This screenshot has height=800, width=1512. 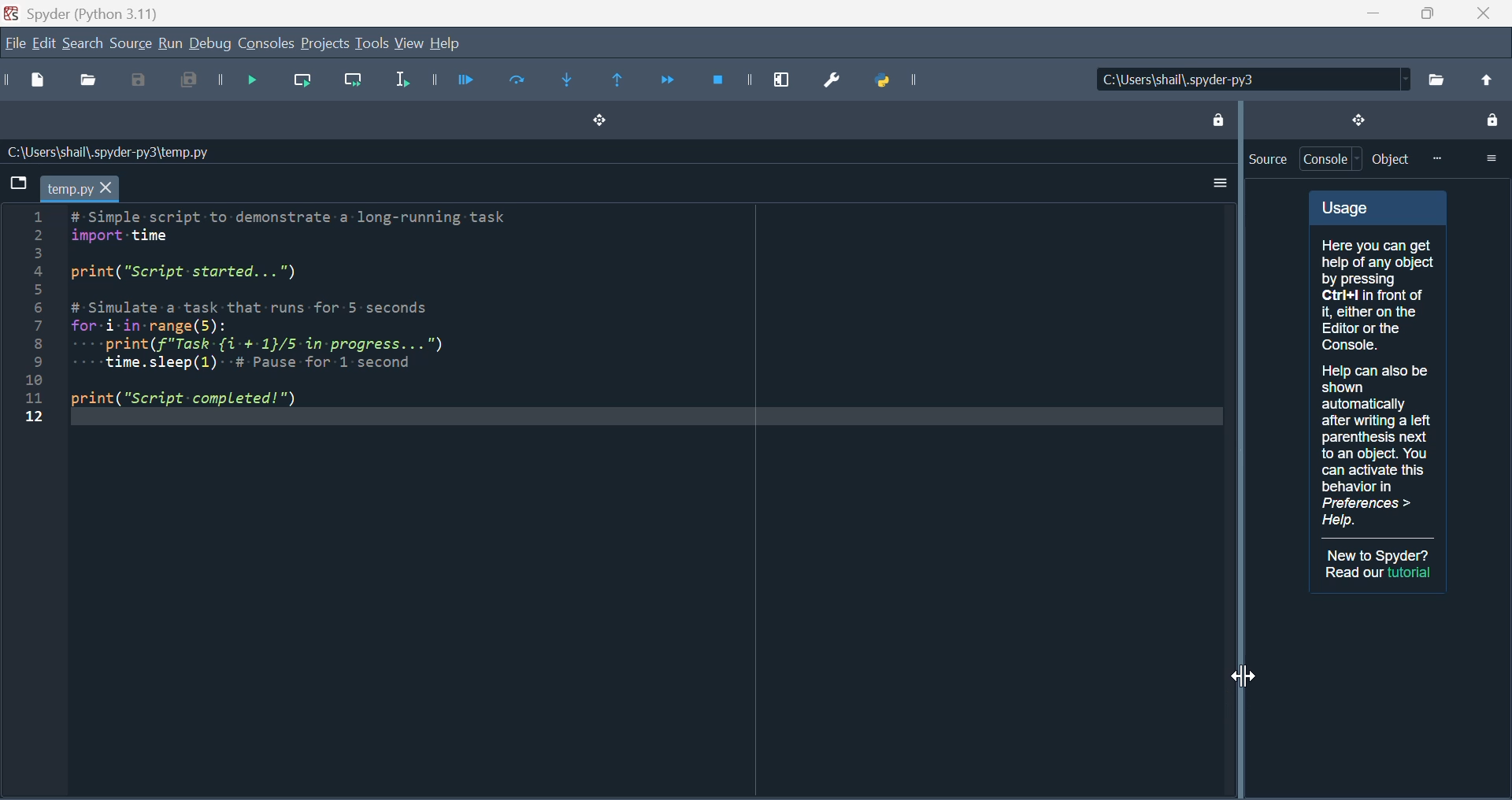 What do you see at coordinates (1392, 159) in the screenshot?
I see `Object` at bounding box center [1392, 159].